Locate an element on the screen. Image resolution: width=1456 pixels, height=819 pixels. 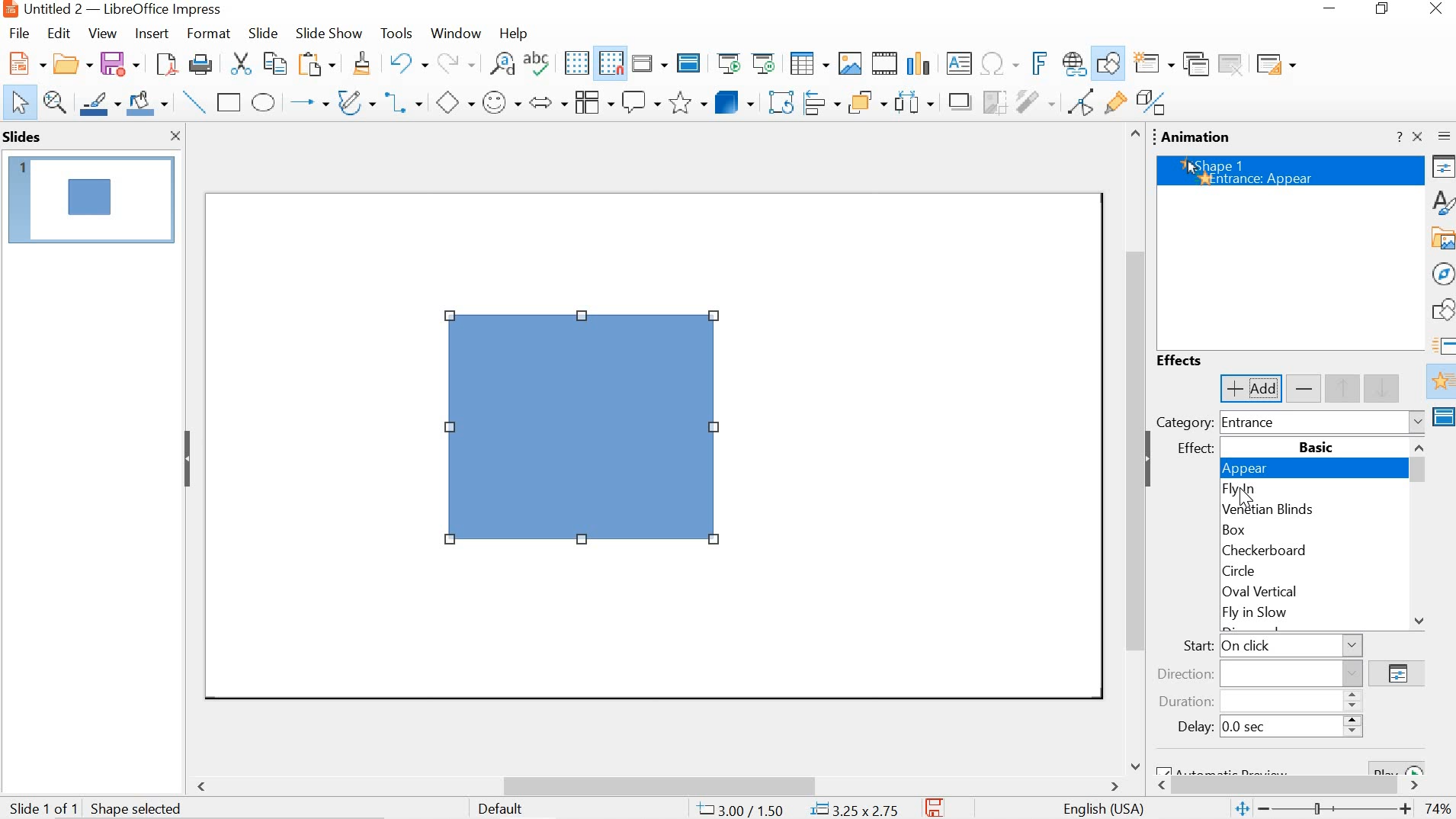
venetian blinds is located at coordinates (1311, 510).